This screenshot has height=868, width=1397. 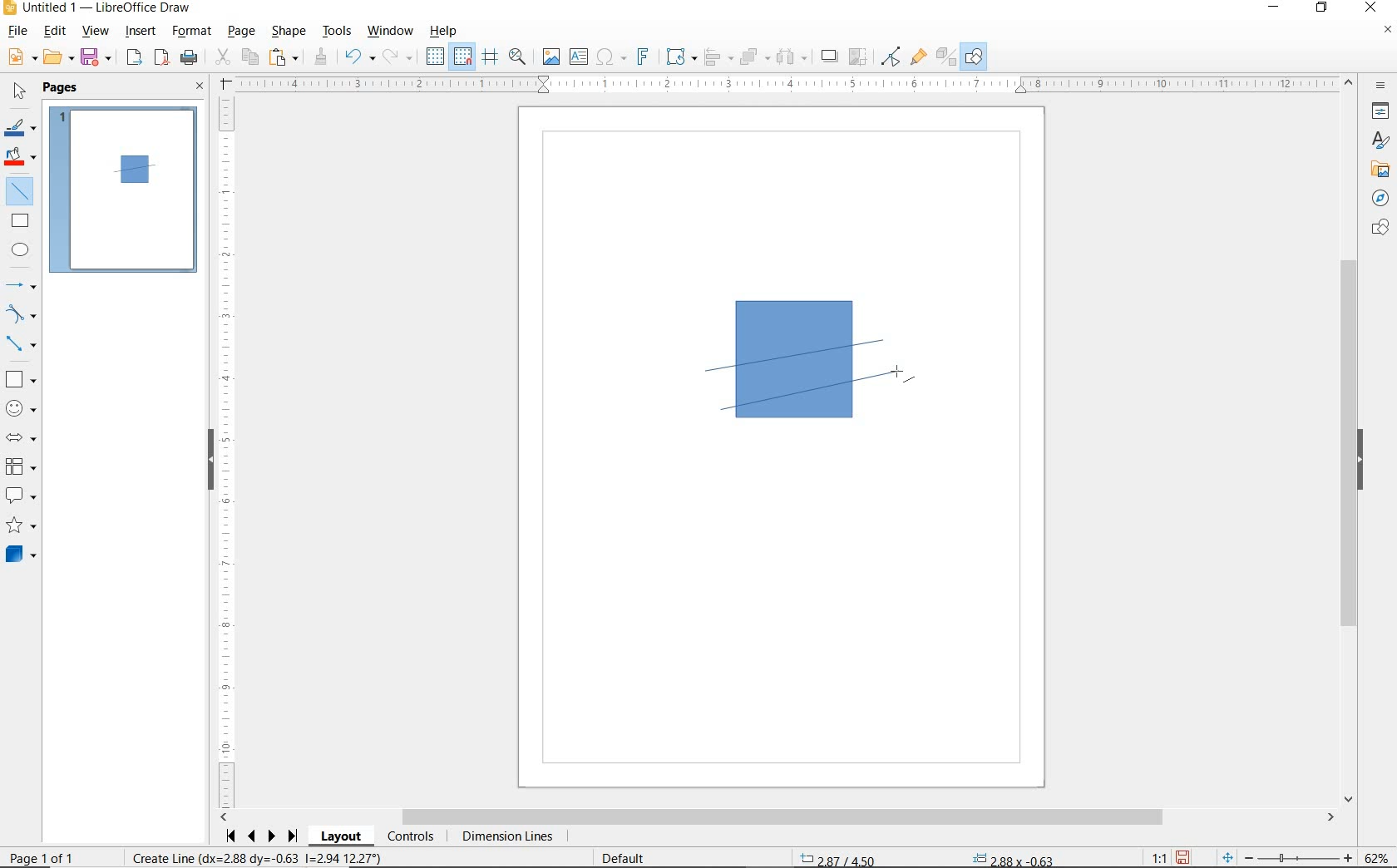 What do you see at coordinates (22, 313) in the screenshot?
I see `CURVES AND POLYGONS` at bounding box center [22, 313].